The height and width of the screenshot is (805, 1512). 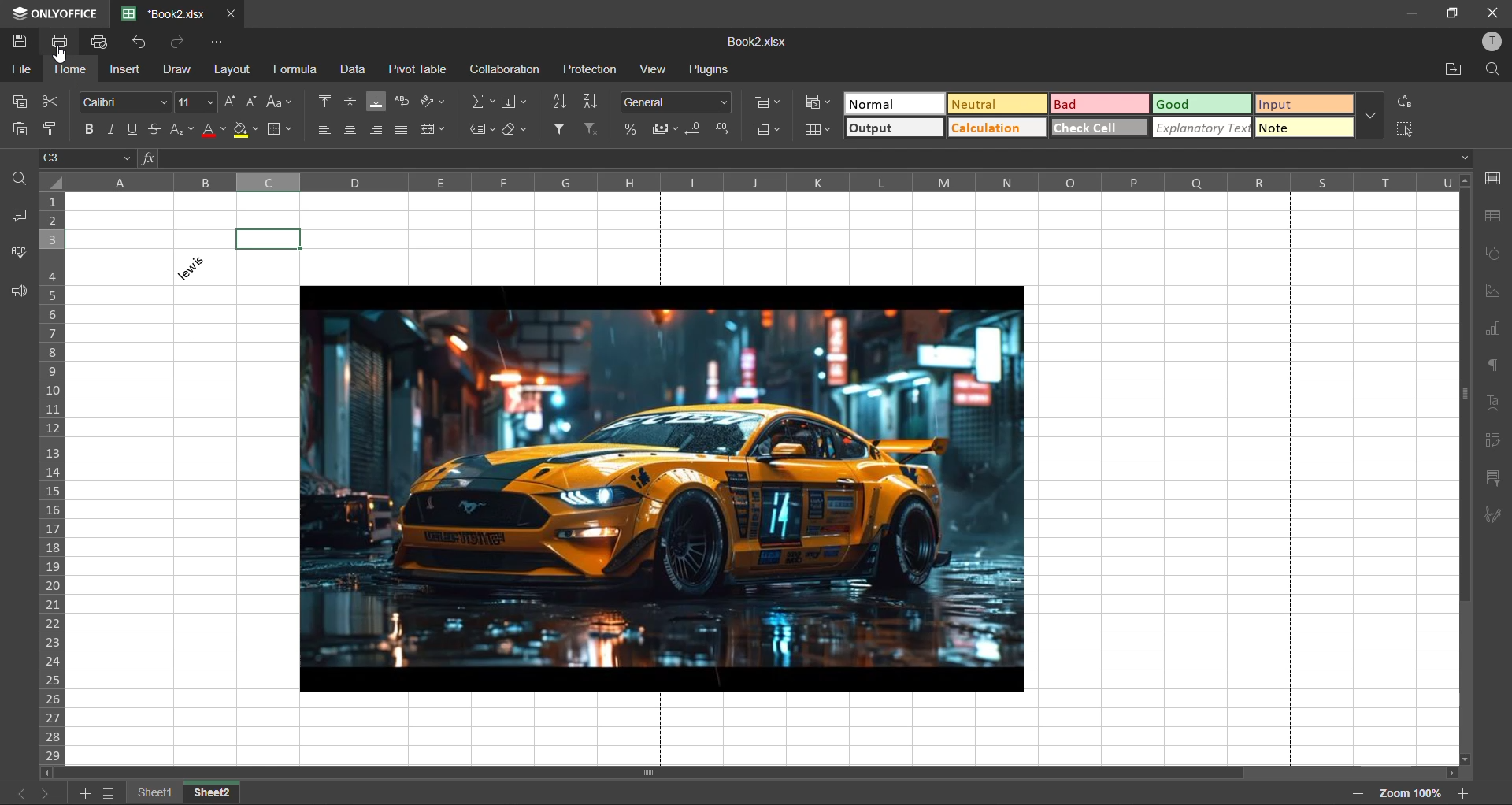 I want to click on zoom factor, so click(x=1413, y=793).